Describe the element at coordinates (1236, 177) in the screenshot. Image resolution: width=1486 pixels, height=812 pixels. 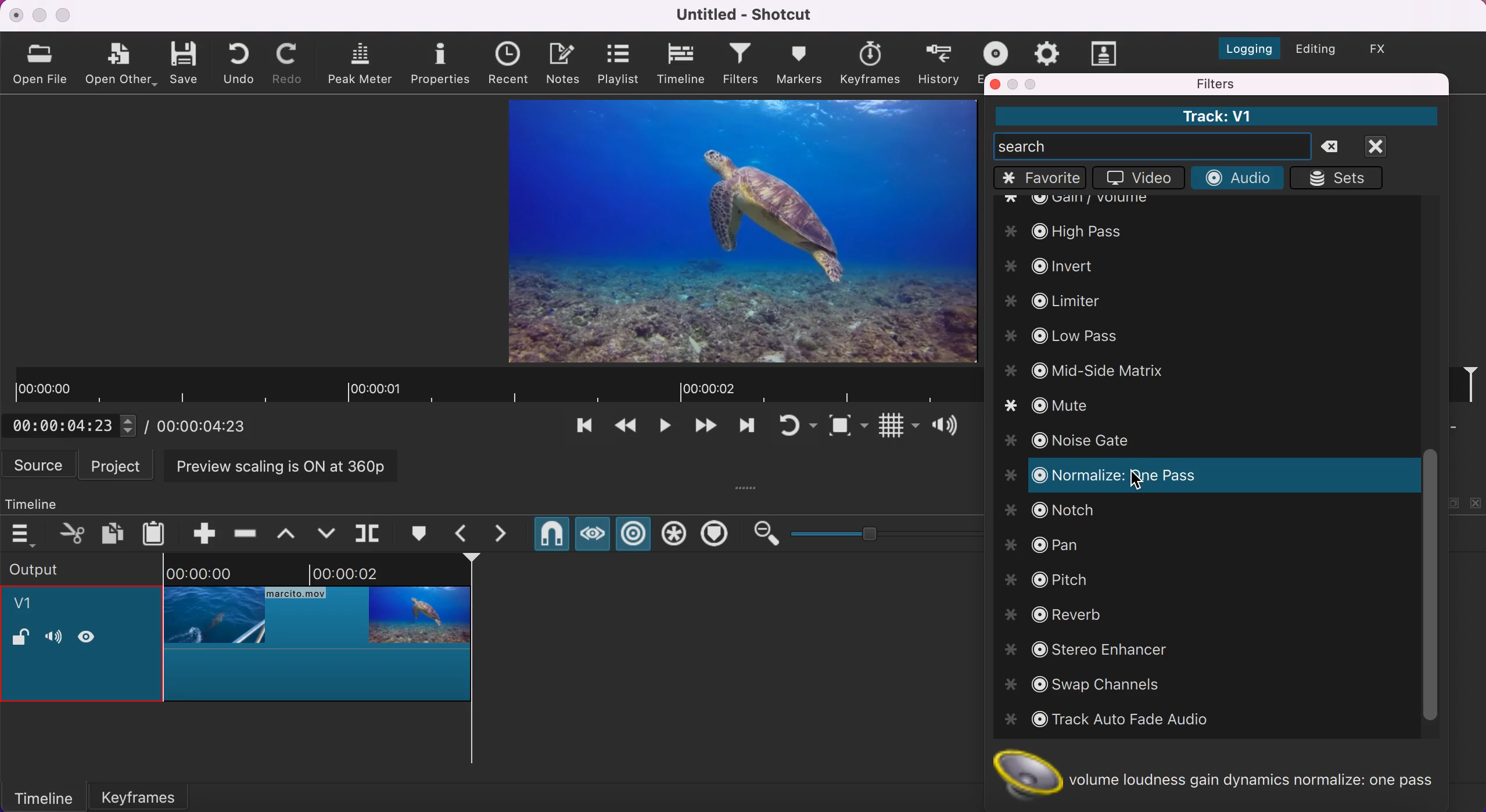
I see `audio` at that location.